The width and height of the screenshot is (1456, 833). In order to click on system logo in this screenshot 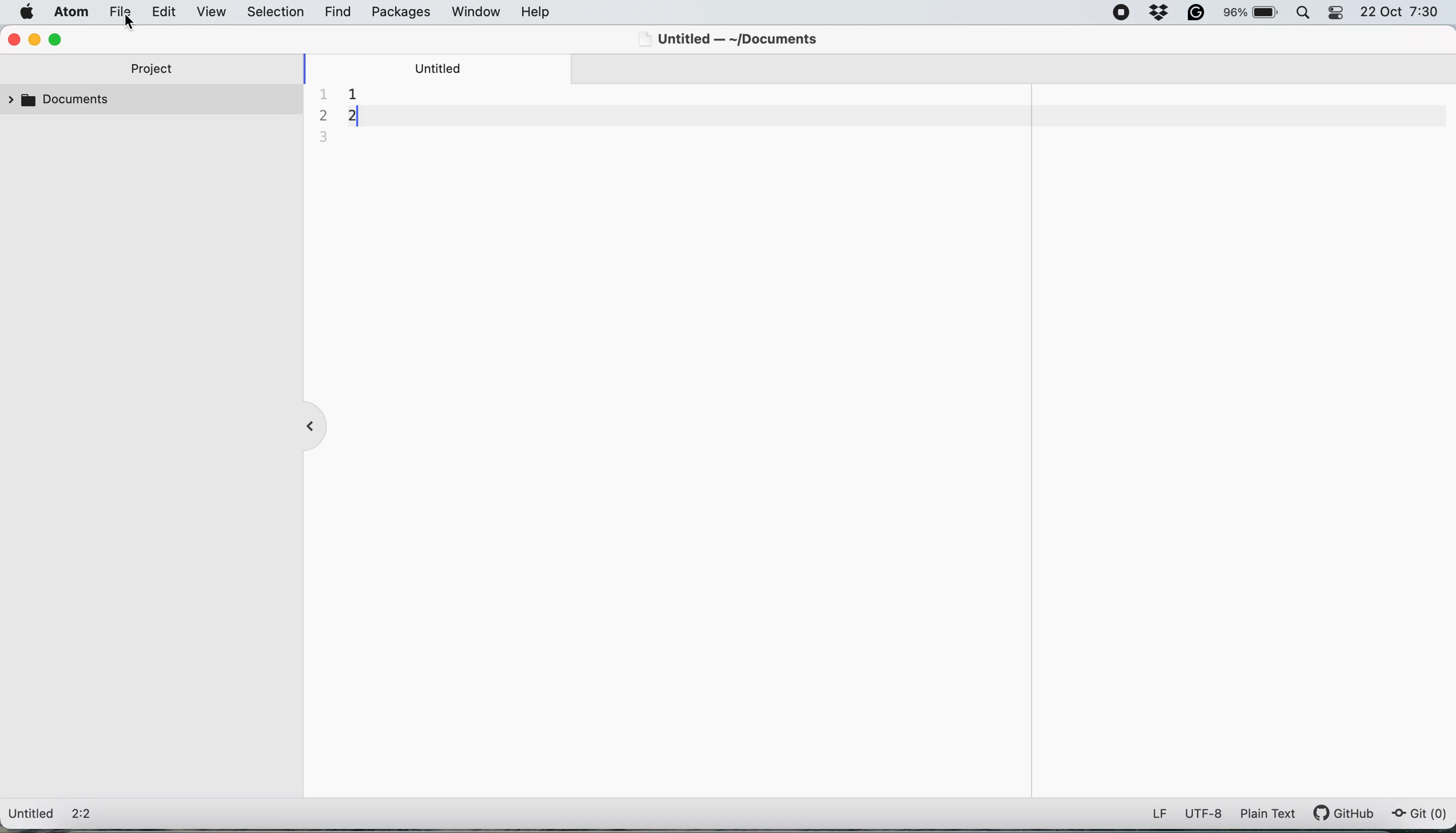, I will do `click(24, 14)`.